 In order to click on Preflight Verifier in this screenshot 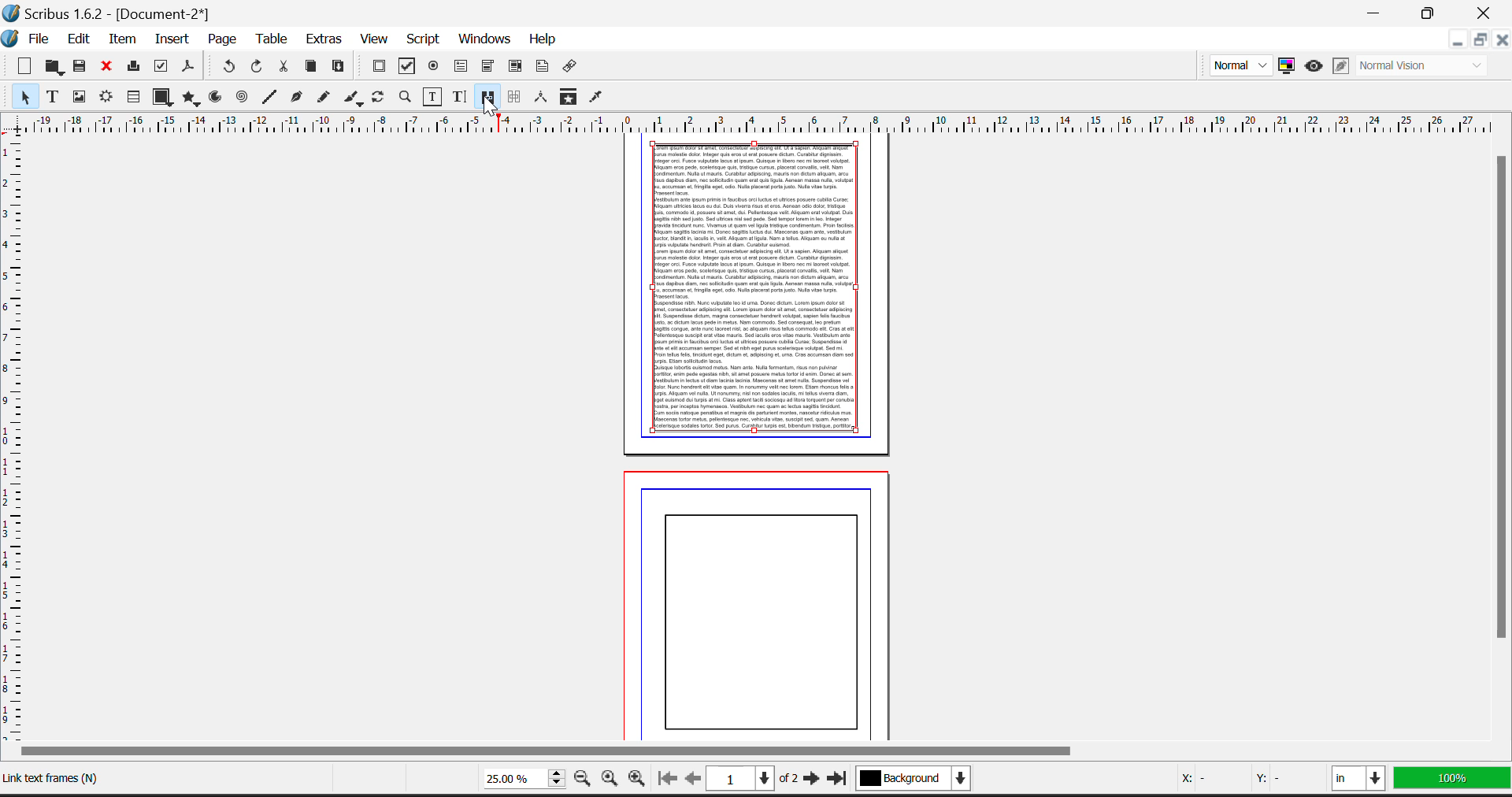, I will do `click(161, 69)`.